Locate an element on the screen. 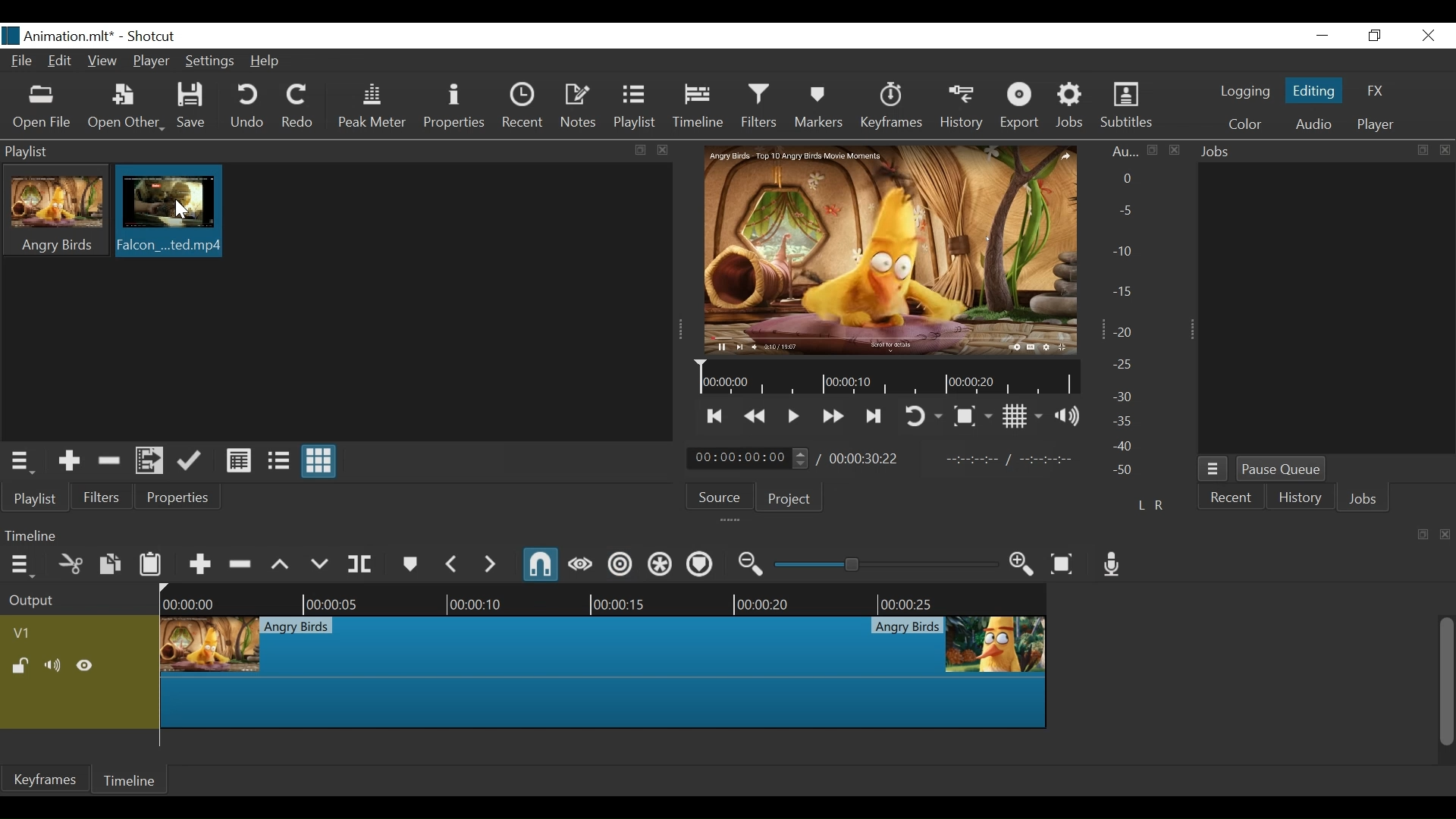  Lift is located at coordinates (281, 563).